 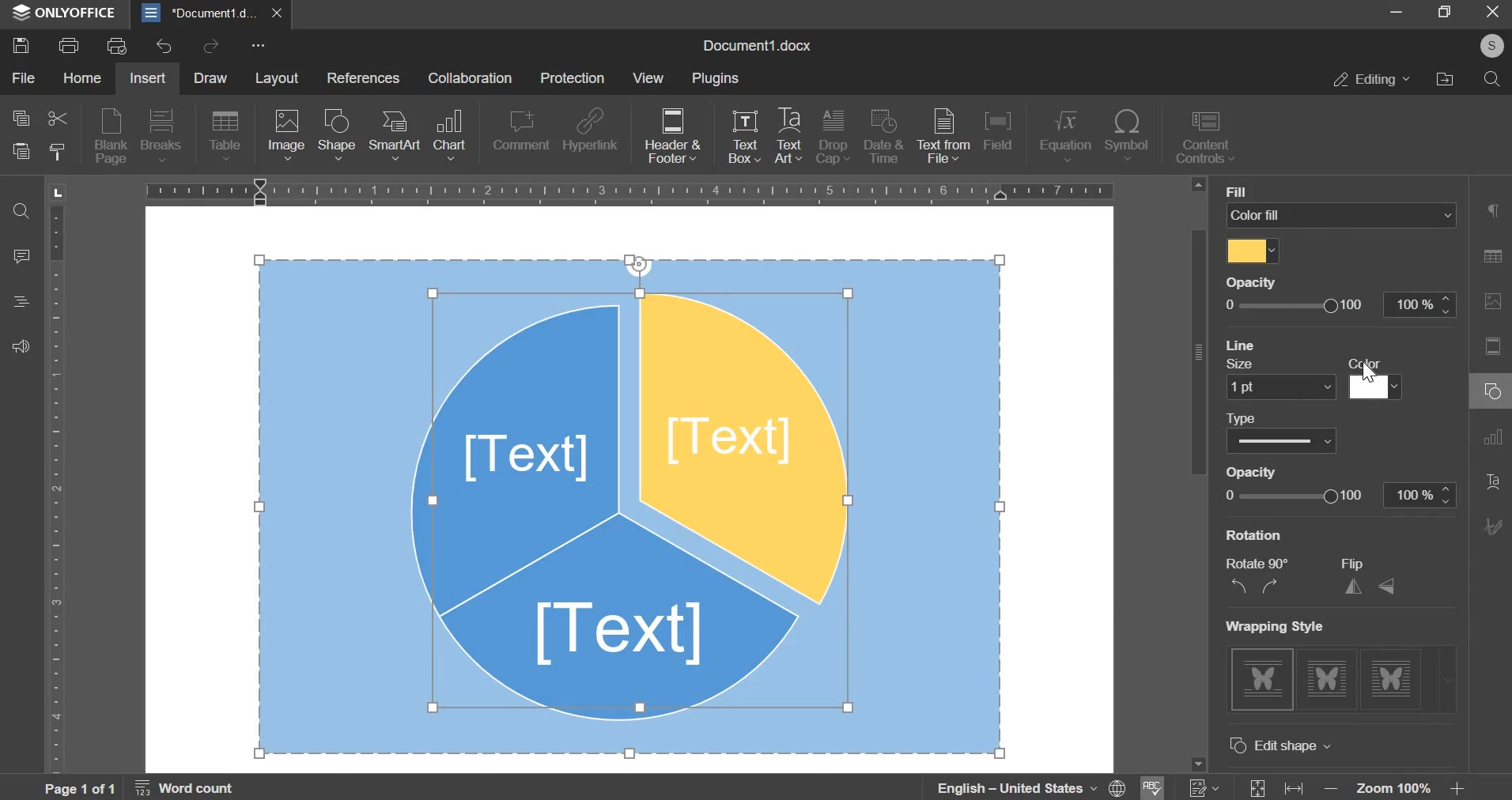 What do you see at coordinates (673, 137) in the screenshot?
I see `header & footer` at bounding box center [673, 137].